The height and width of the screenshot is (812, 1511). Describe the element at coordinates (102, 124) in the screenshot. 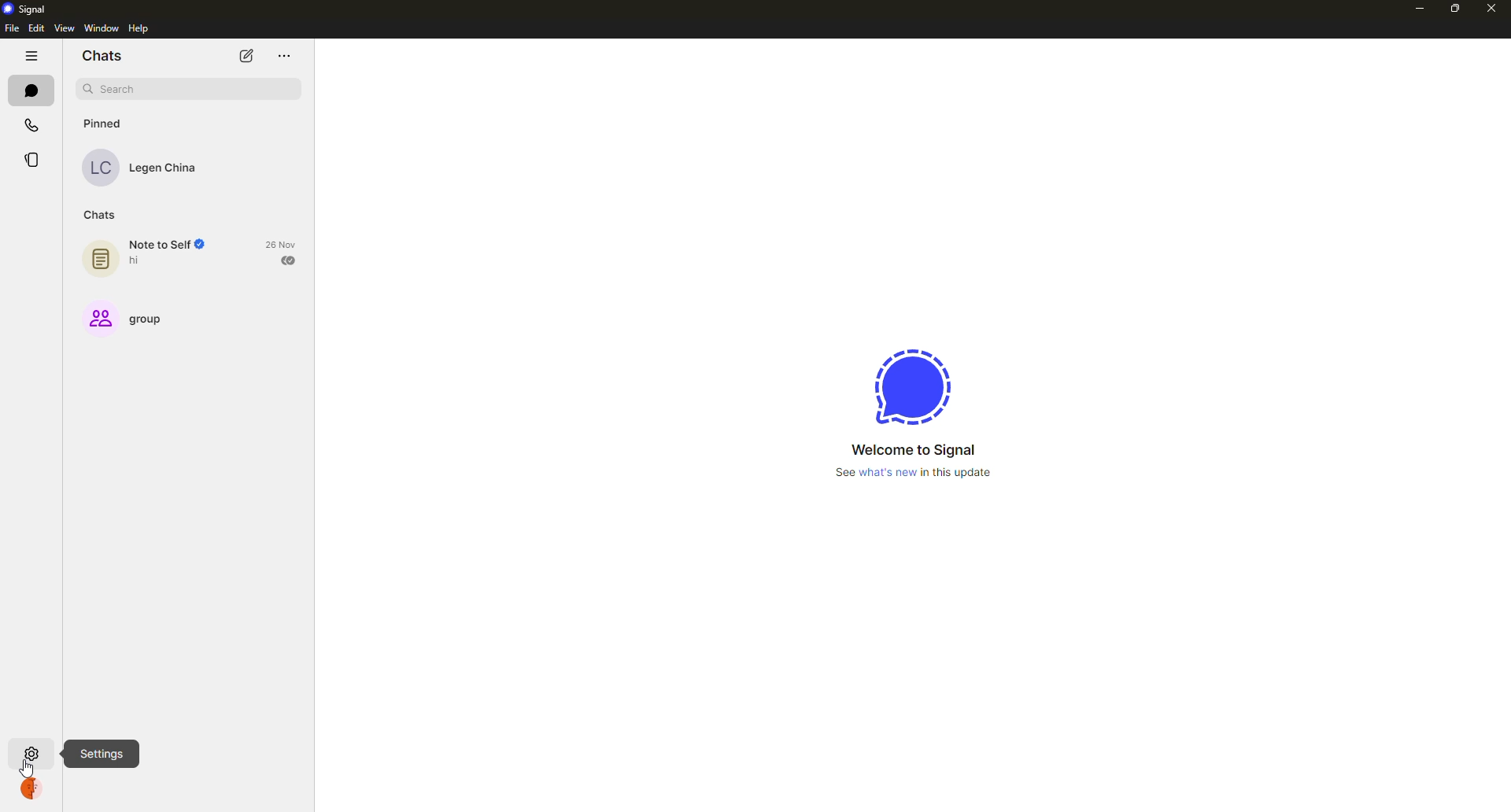

I see `pinned` at that location.